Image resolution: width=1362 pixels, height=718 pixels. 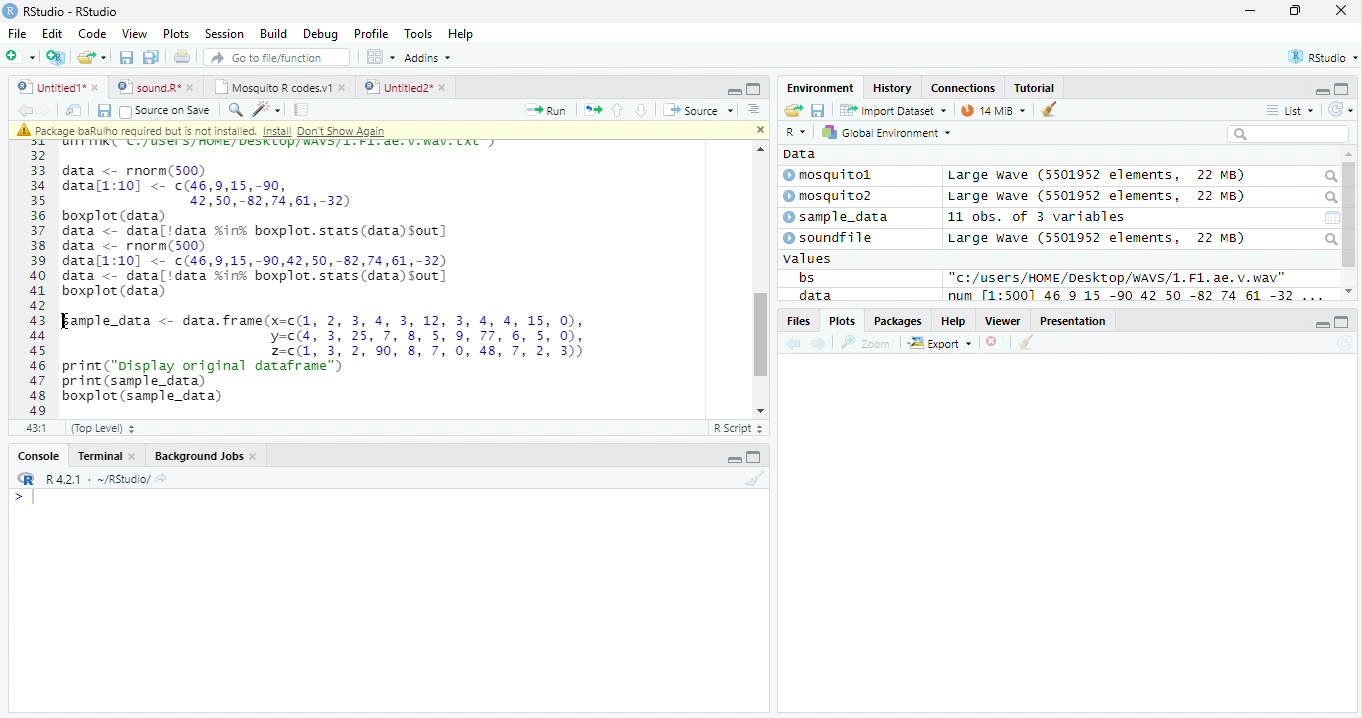 What do you see at coordinates (319, 34) in the screenshot?
I see `Debug` at bounding box center [319, 34].